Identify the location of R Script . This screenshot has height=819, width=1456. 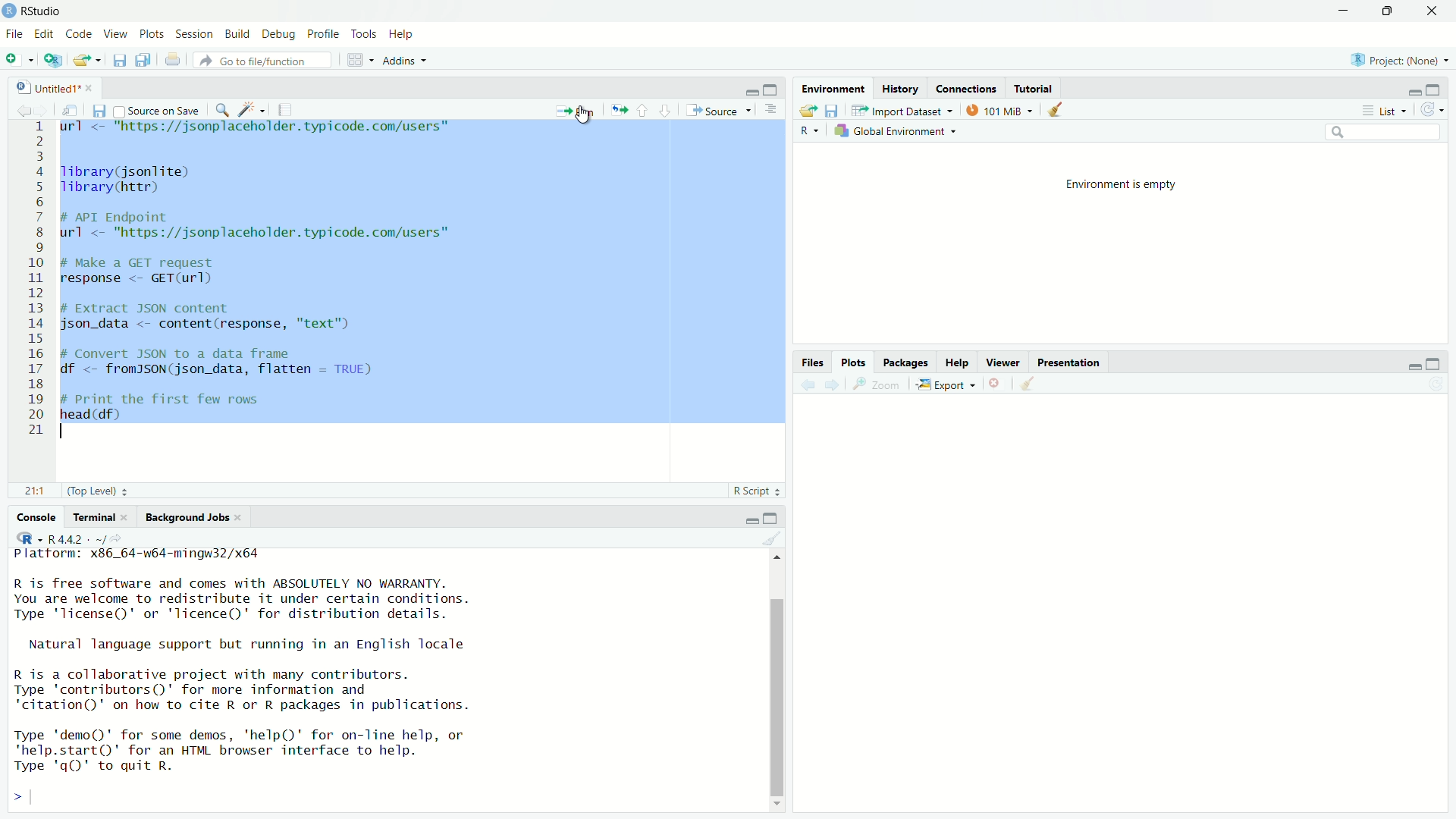
(757, 491).